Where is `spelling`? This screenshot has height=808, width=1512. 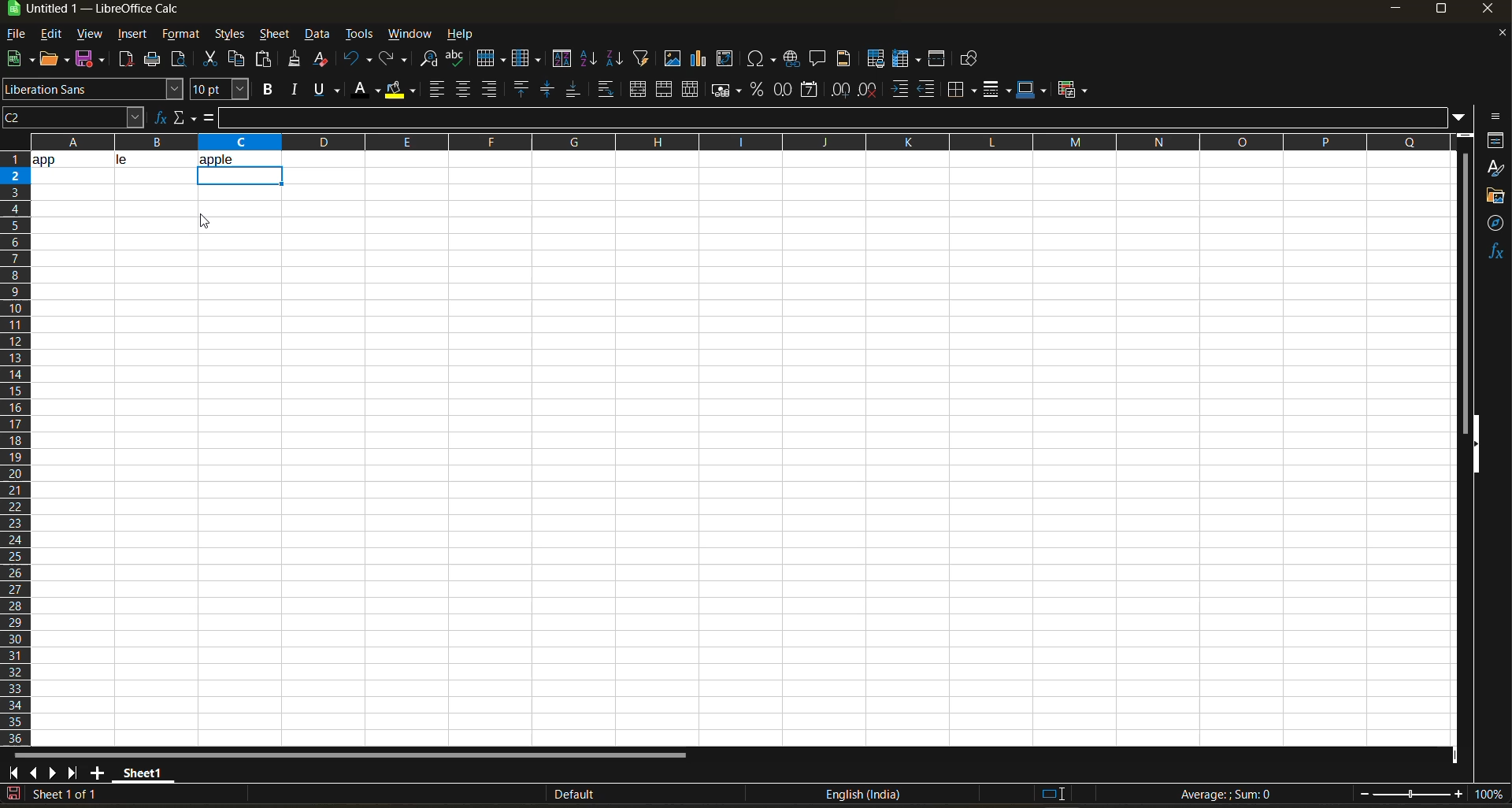
spelling is located at coordinates (454, 60).